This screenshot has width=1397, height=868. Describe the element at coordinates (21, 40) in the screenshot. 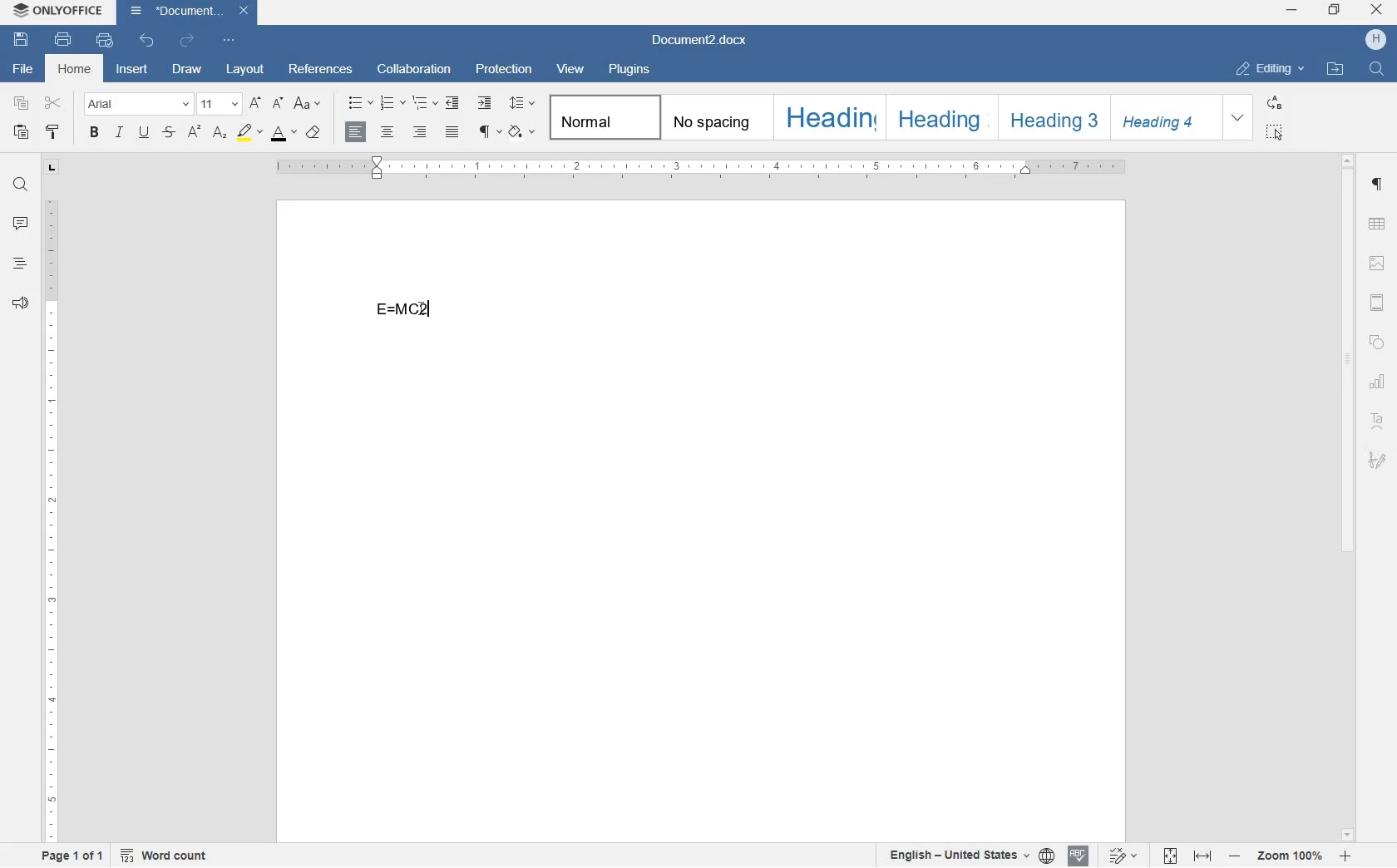

I see `save` at that location.